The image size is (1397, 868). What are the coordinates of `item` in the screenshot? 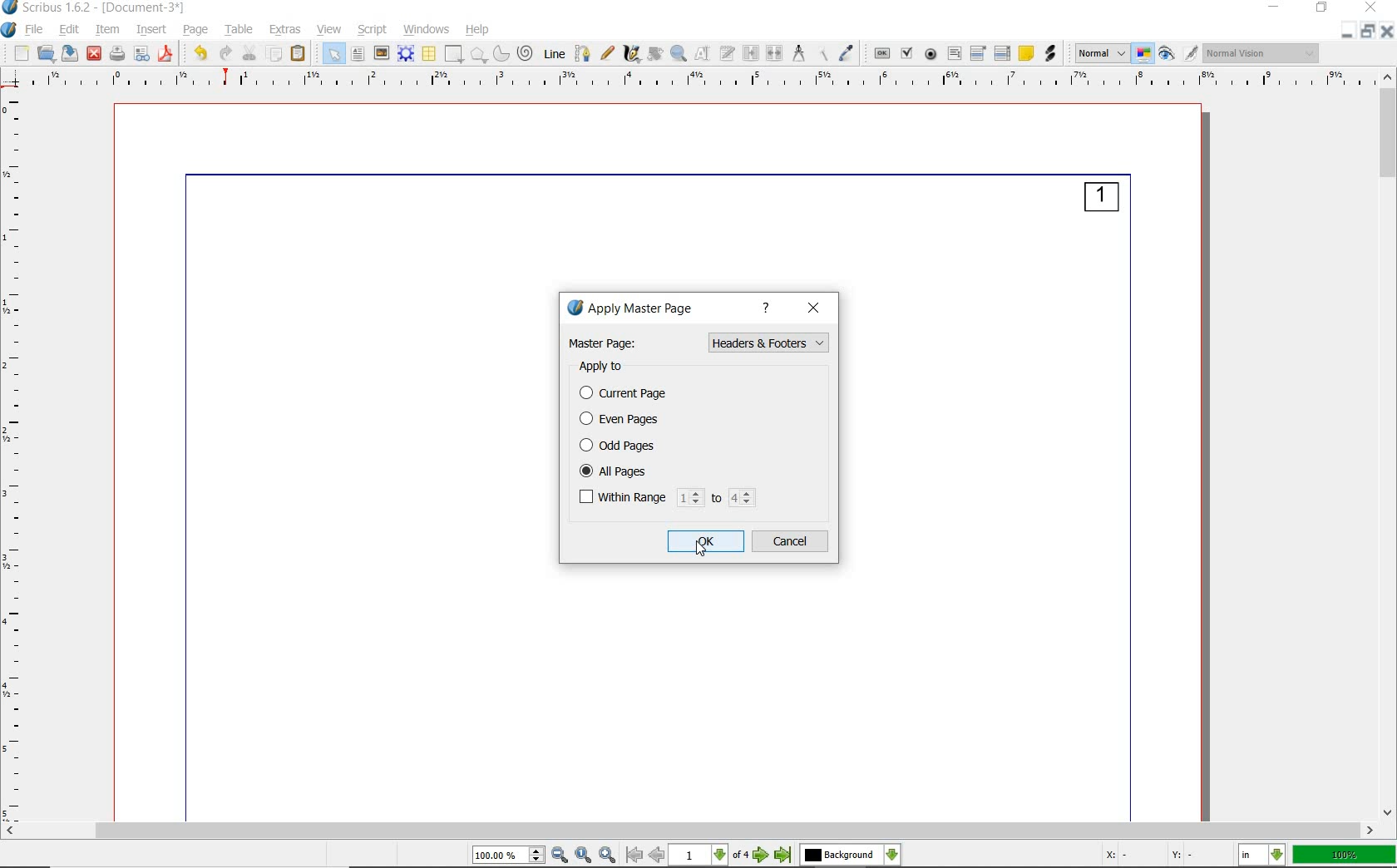 It's located at (107, 30).